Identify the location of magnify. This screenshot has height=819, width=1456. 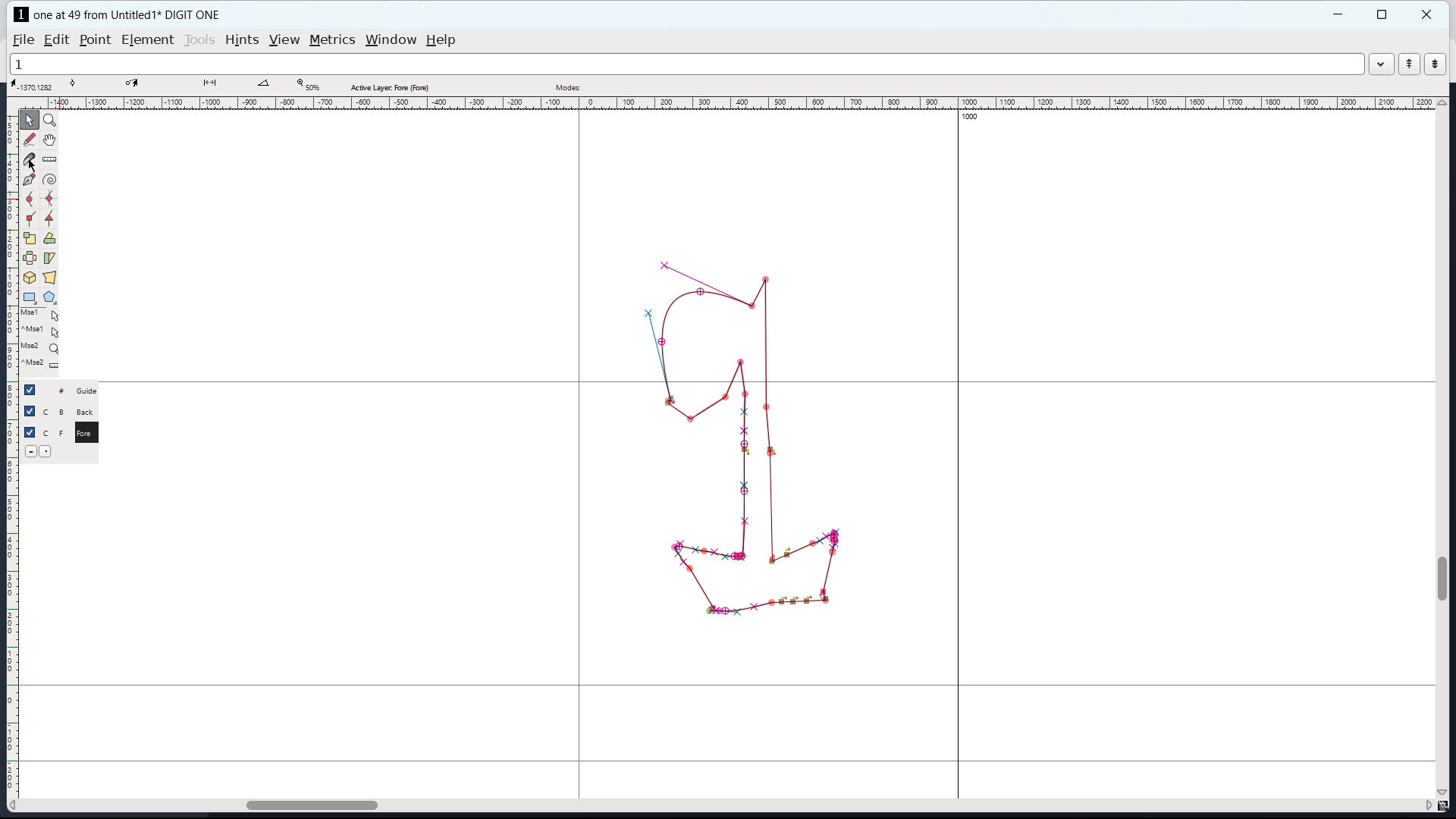
(50, 120).